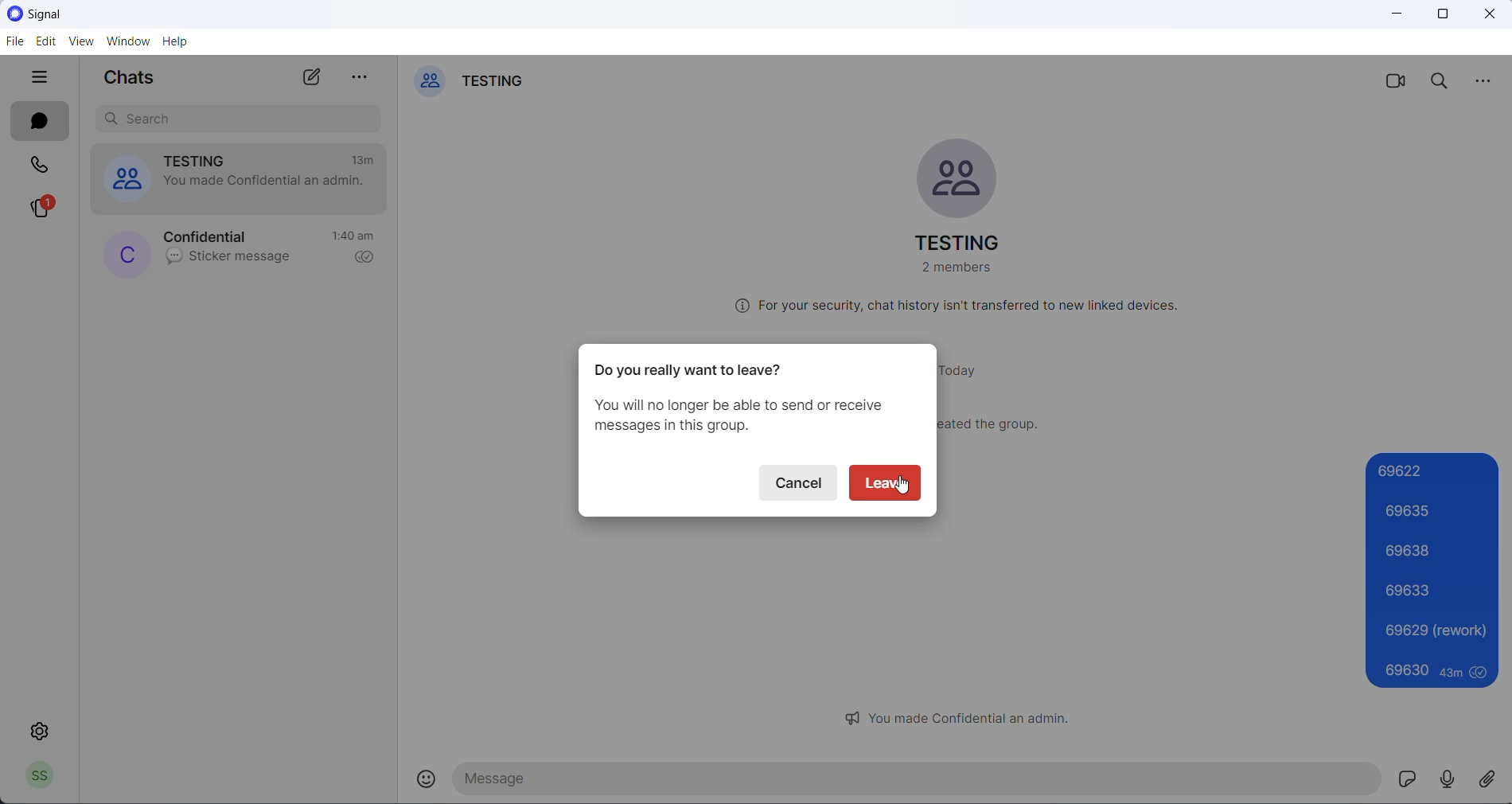 This screenshot has width=1512, height=804. Describe the element at coordinates (1409, 779) in the screenshot. I see `sticker` at that location.